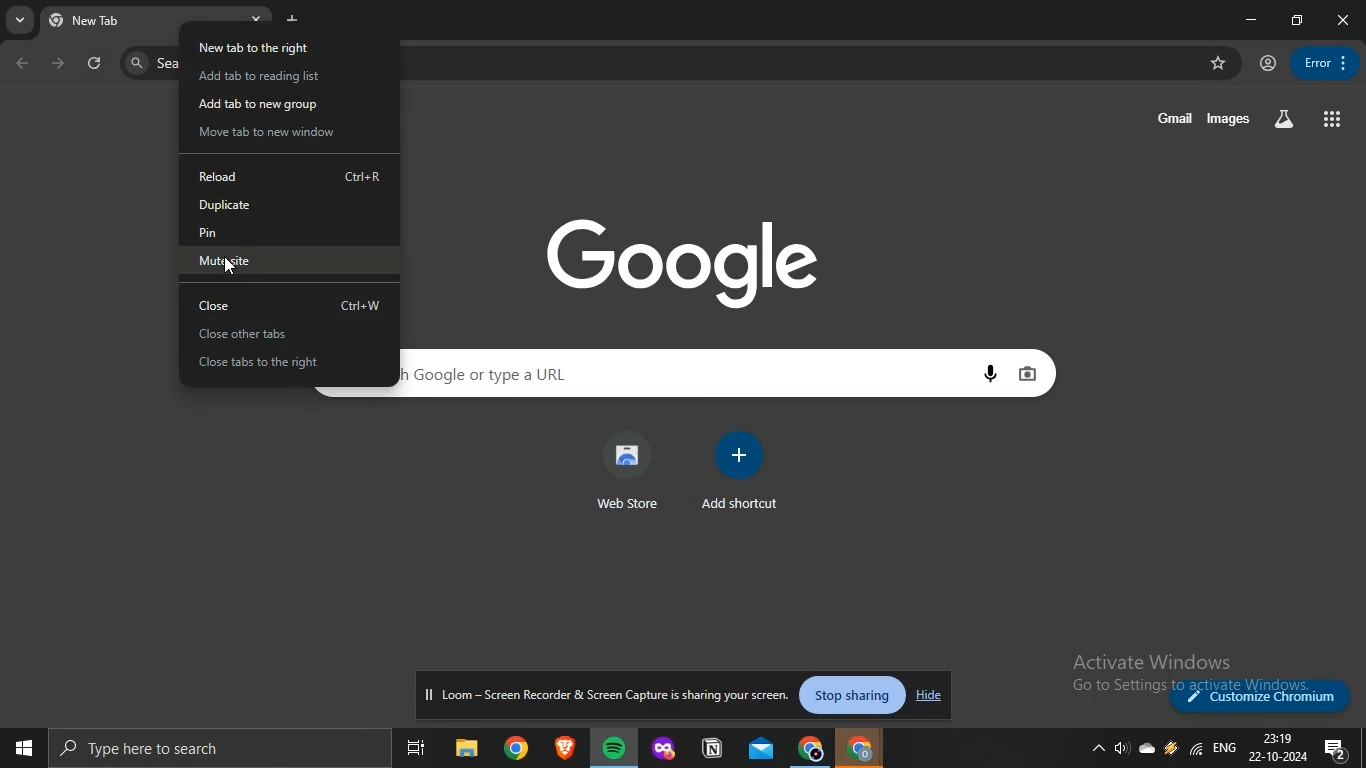  I want to click on notifications, so click(1335, 749).